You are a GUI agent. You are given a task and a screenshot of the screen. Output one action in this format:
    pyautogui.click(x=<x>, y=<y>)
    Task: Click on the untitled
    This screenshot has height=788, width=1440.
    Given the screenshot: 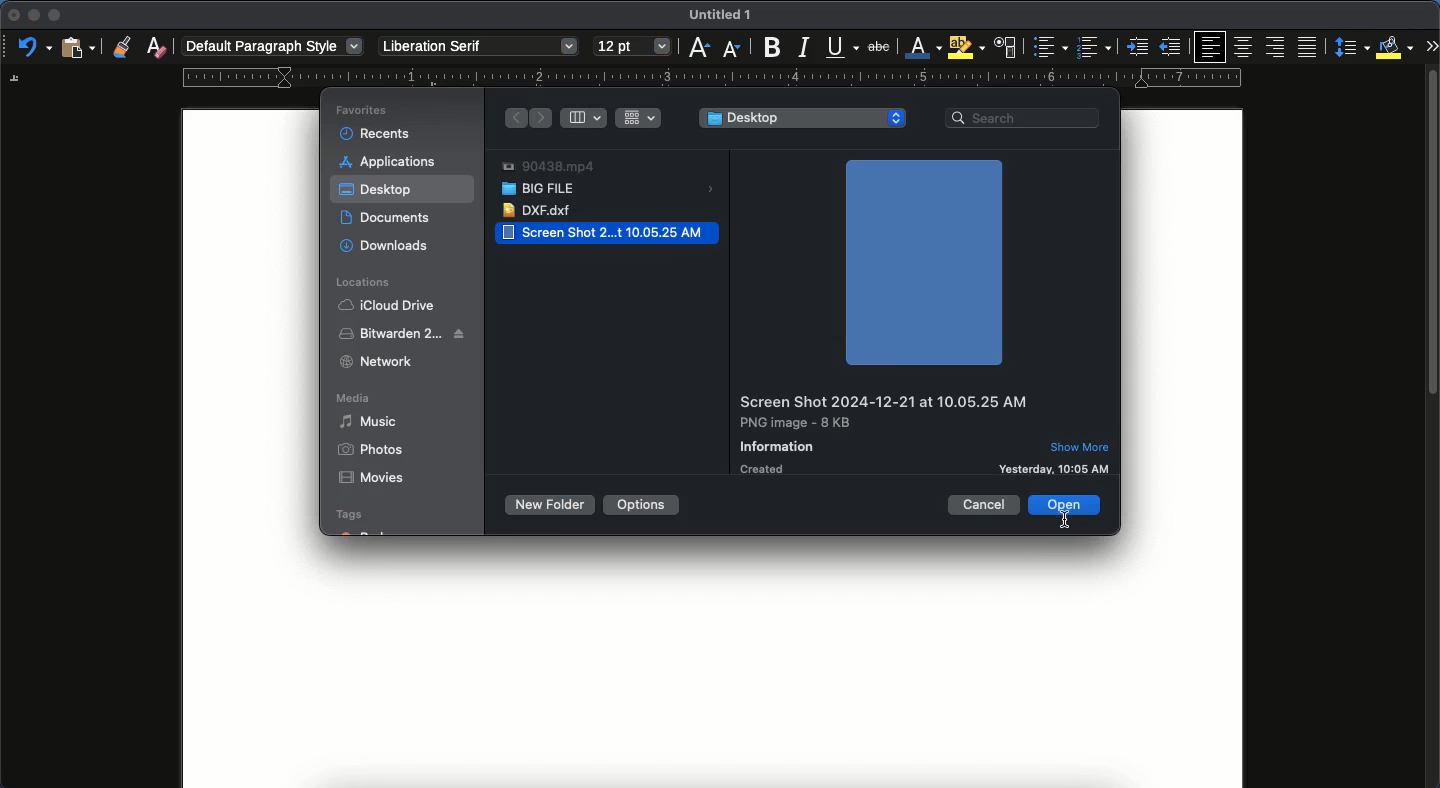 What is the action you would take?
    pyautogui.click(x=716, y=16)
    